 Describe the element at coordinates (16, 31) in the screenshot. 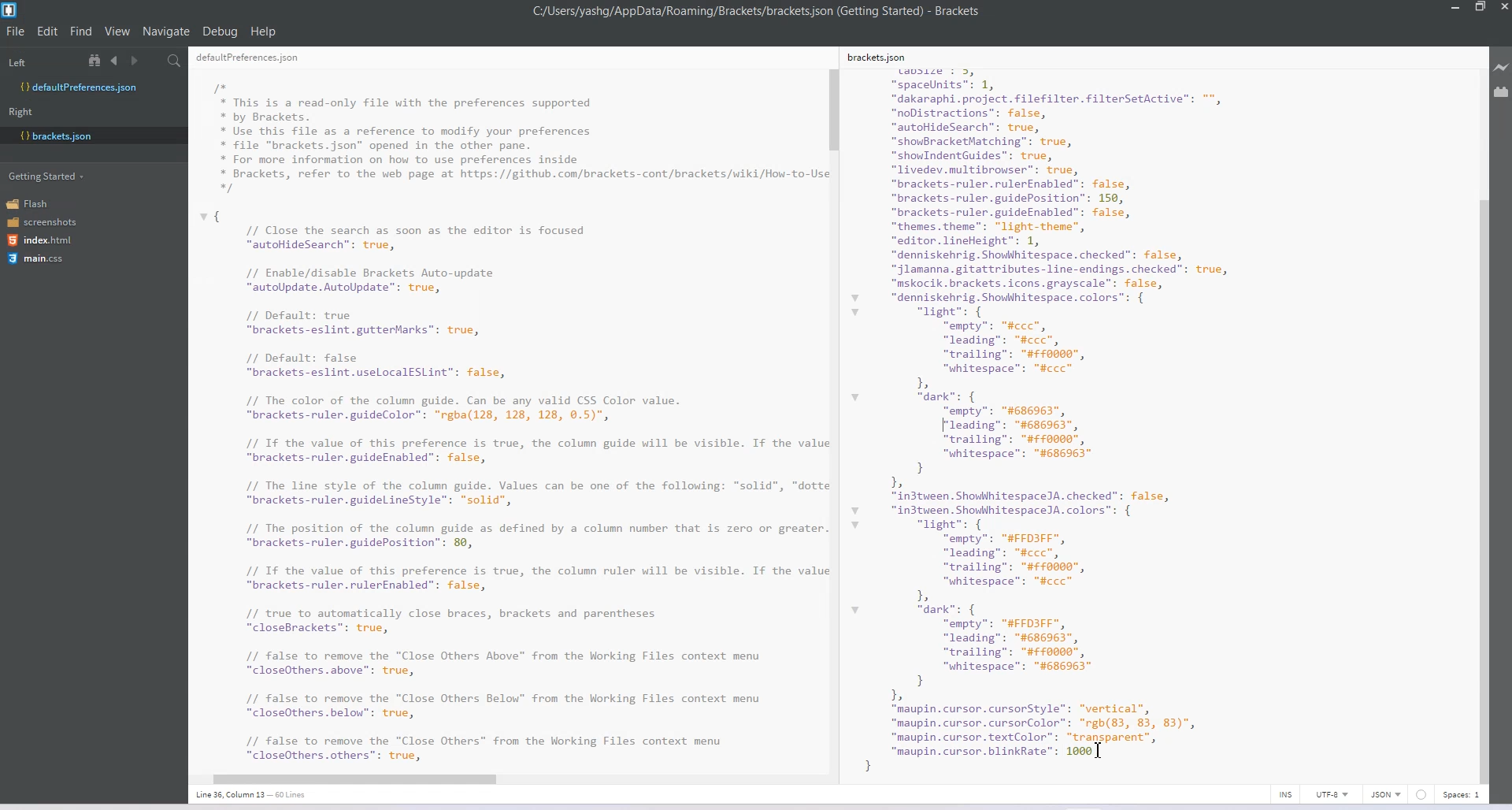

I see `File` at that location.